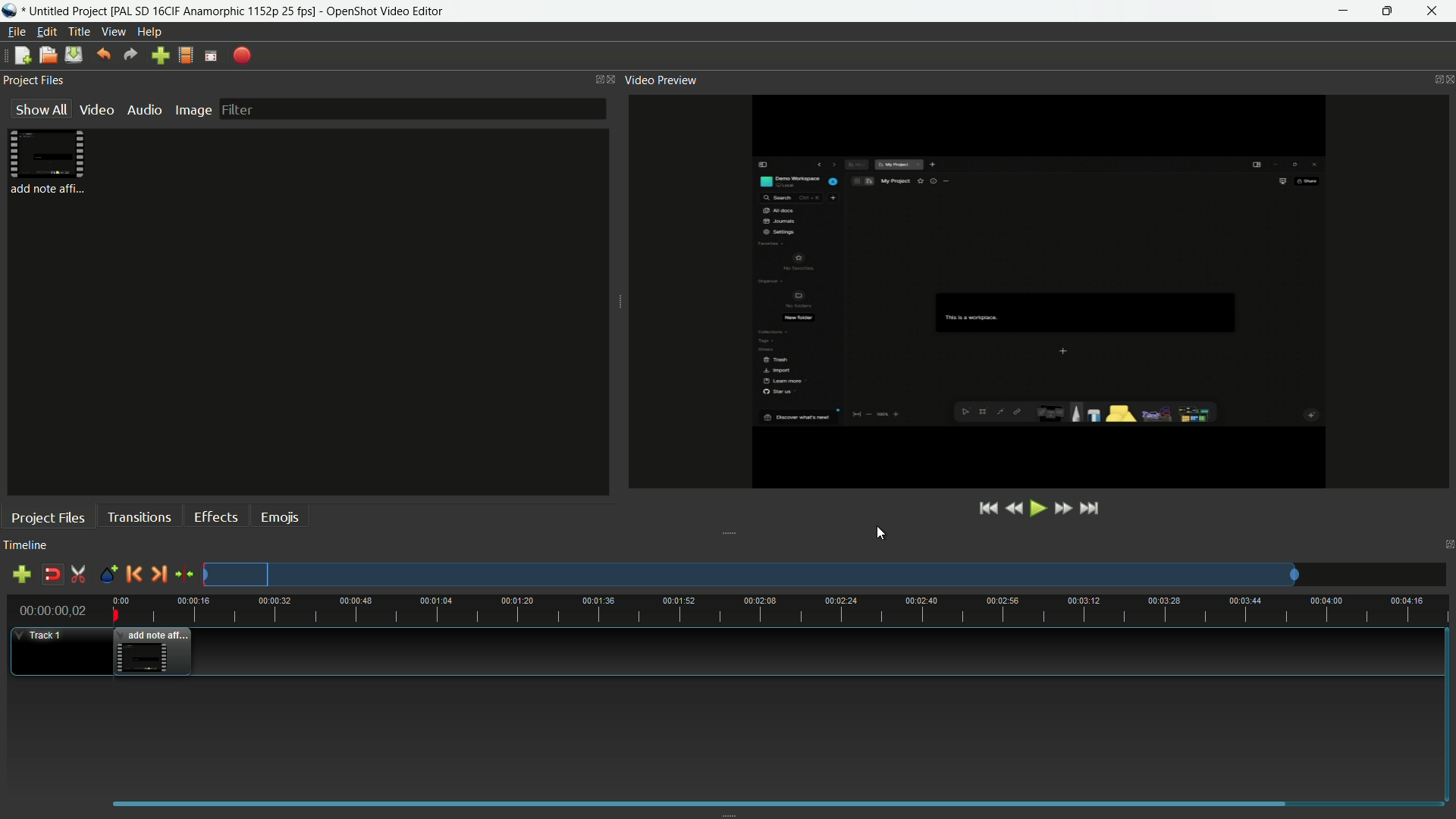 The width and height of the screenshot is (1456, 819). What do you see at coordinates (19, 57) in the screenshot?
I see `new file` at bounding box center [19, 57].